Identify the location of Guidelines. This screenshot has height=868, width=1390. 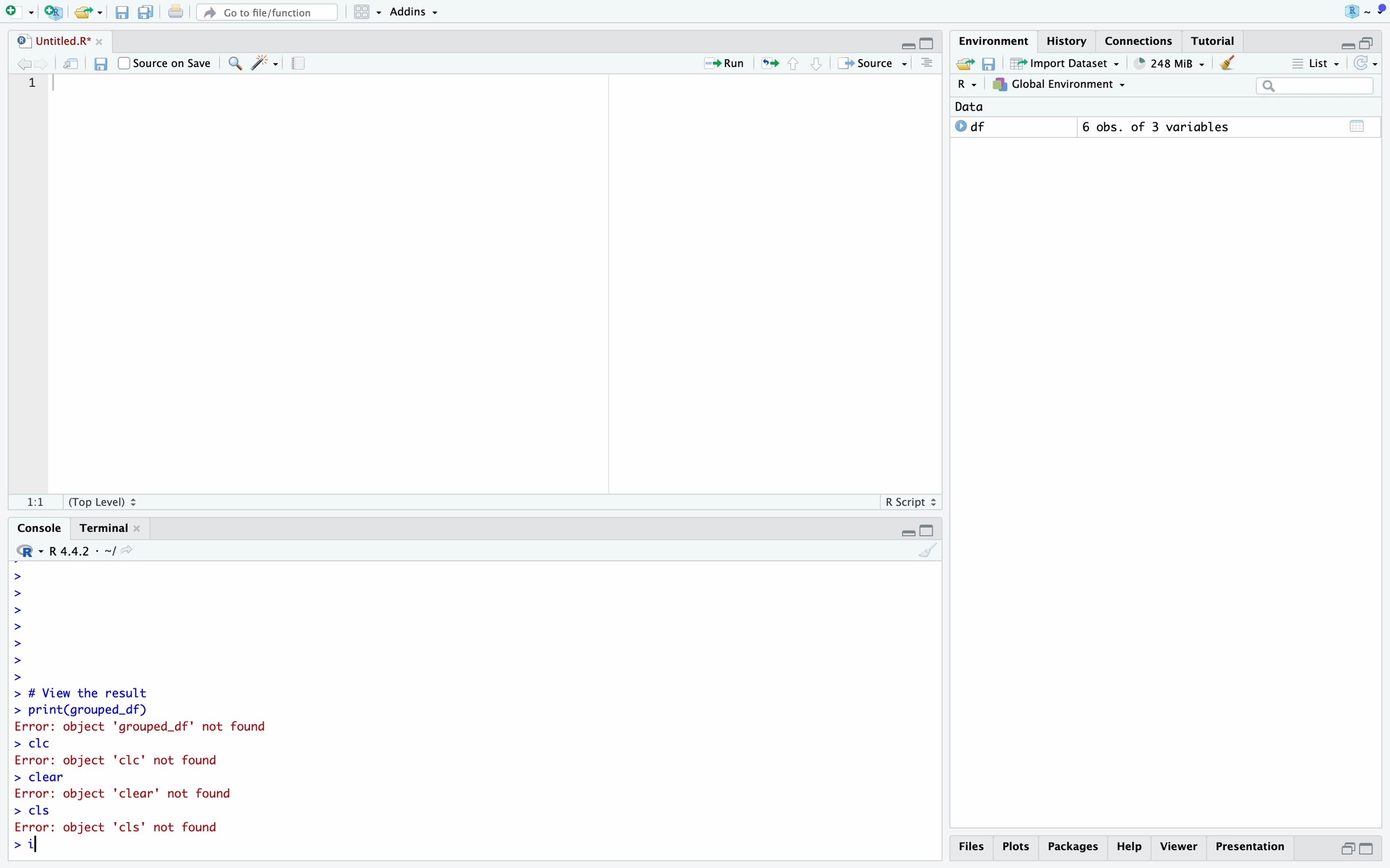
(302, 64).